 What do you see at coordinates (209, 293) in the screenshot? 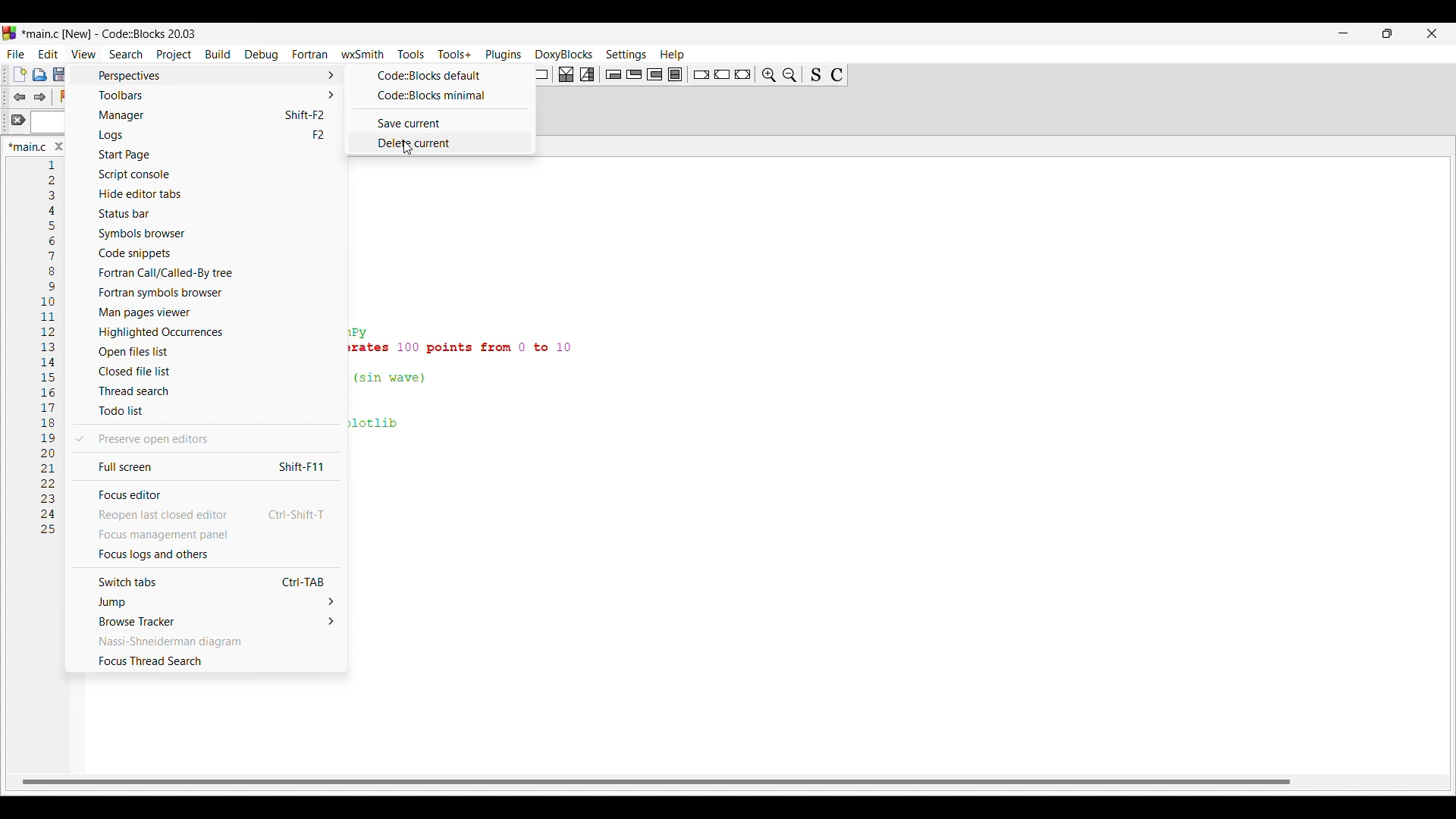
I see `Fortran symbols browser` at bounding box center [209, 293].